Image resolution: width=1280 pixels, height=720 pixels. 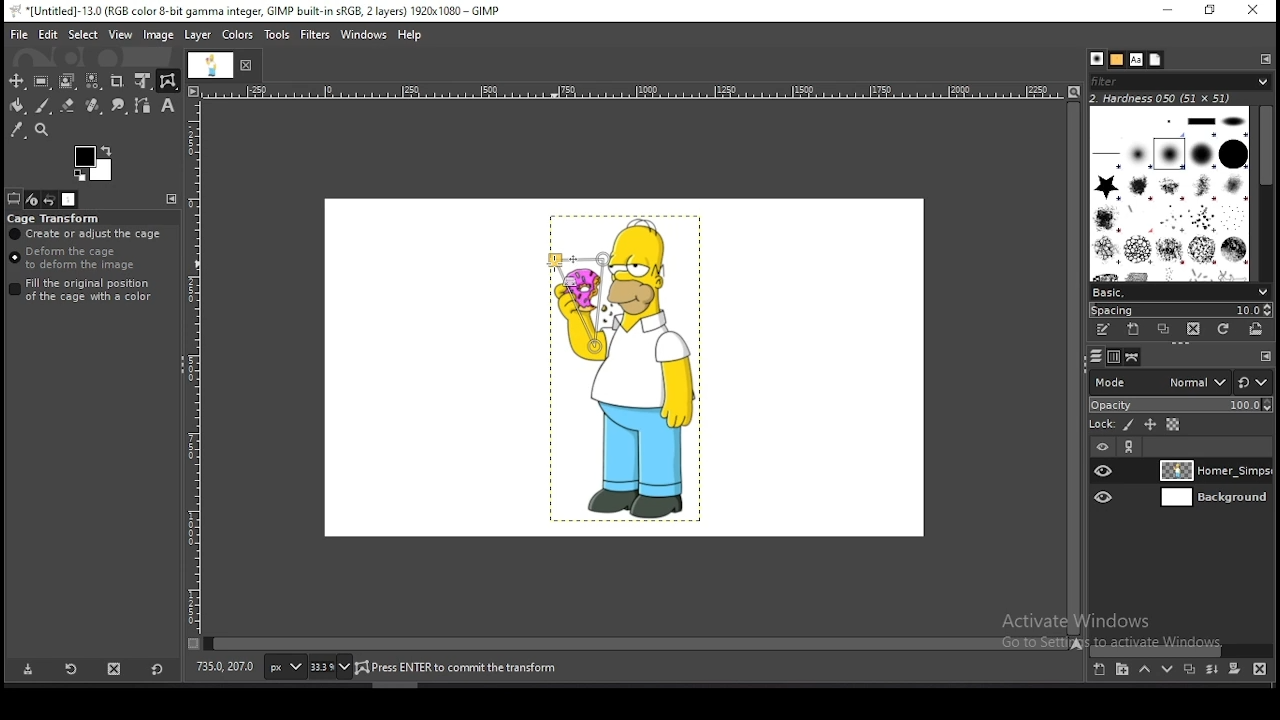 What do you see at coordinates (225, 665) in the screenshot?
I see `735.0, 195.0` at bounding box center [225, 665].